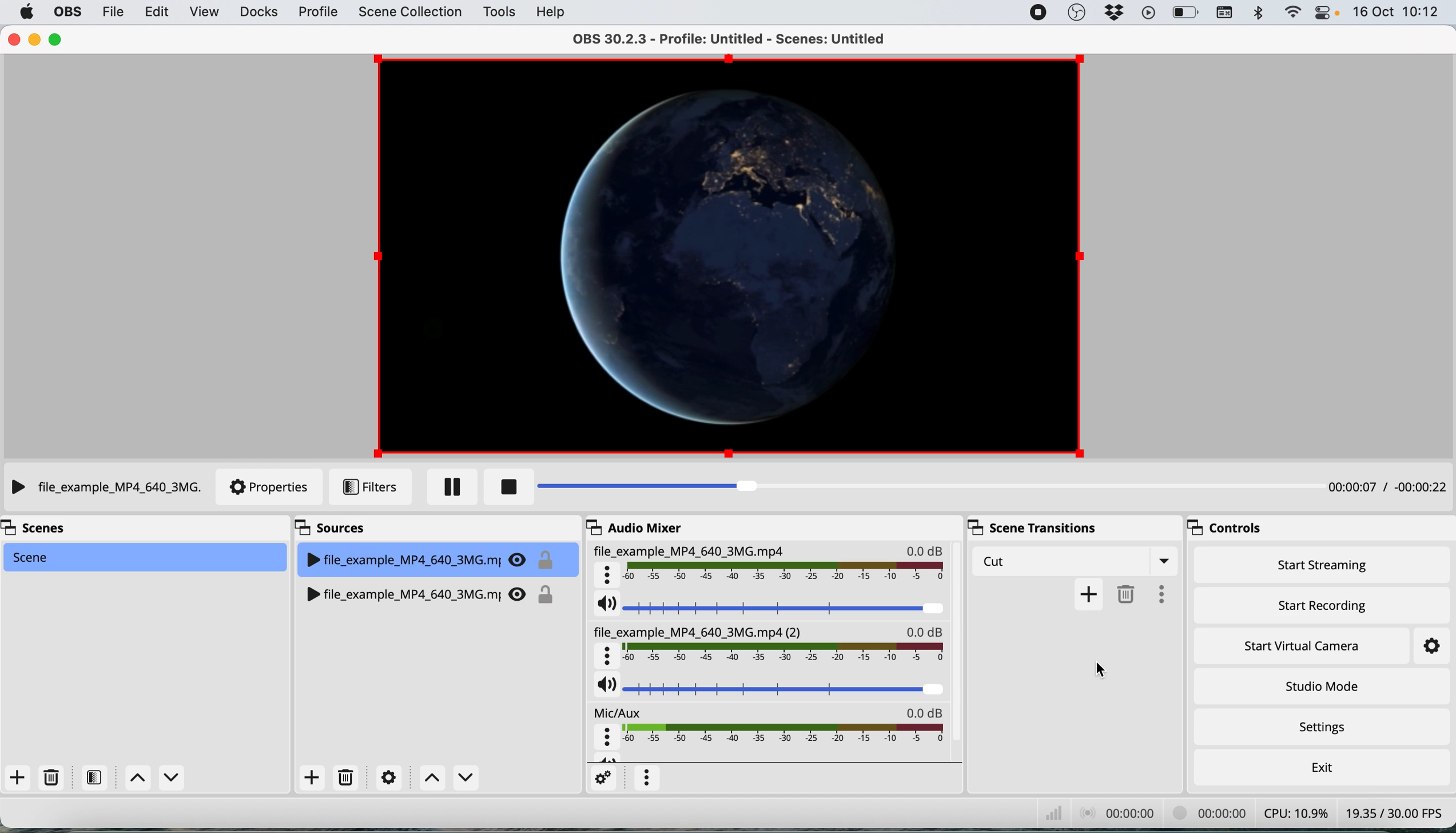 The image size is (1456, 833). What do you see at coordinates (310, 776) in the screenshot?
I see `add source` at bounding box center [310, 776].